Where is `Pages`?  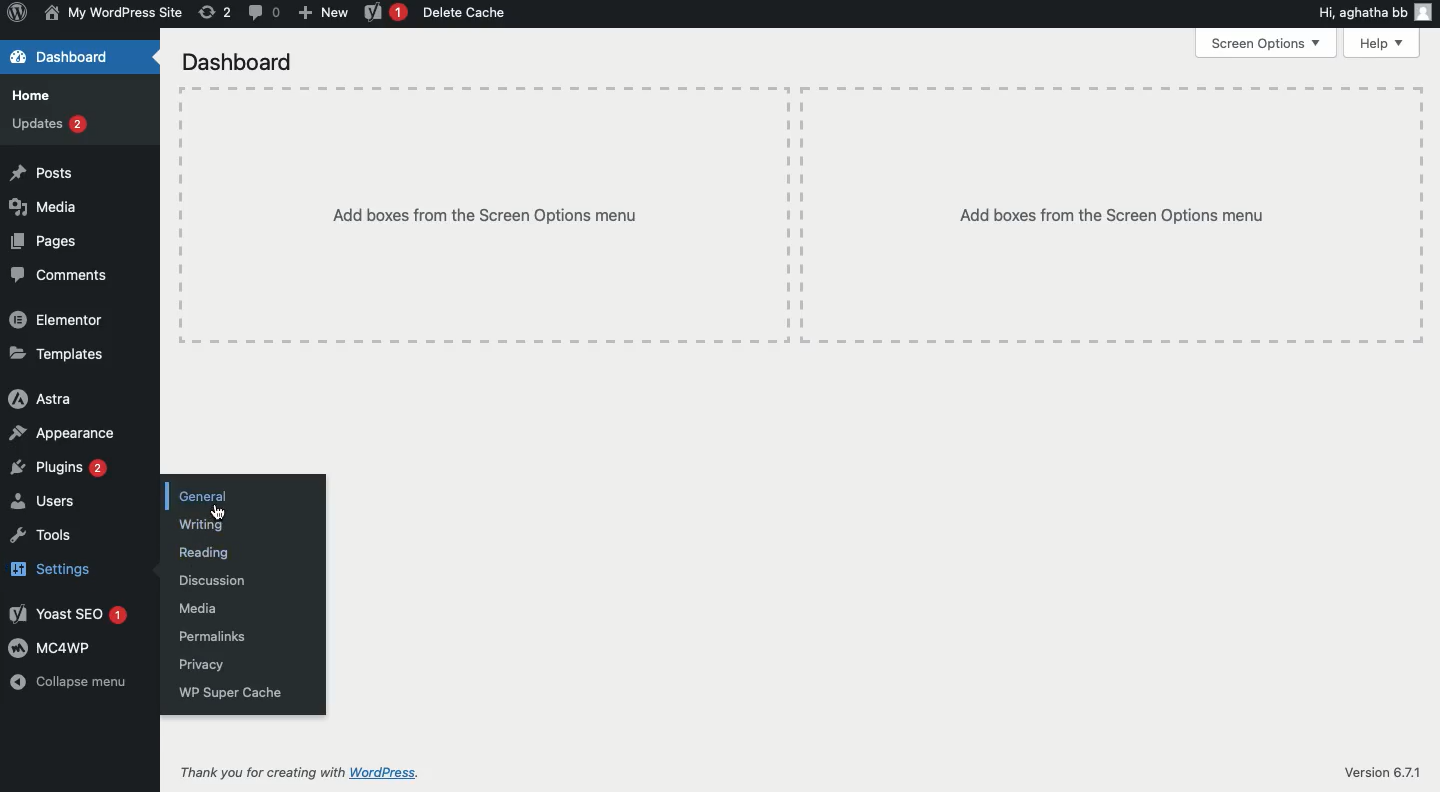
Pages is located at coordinates (42, 243).